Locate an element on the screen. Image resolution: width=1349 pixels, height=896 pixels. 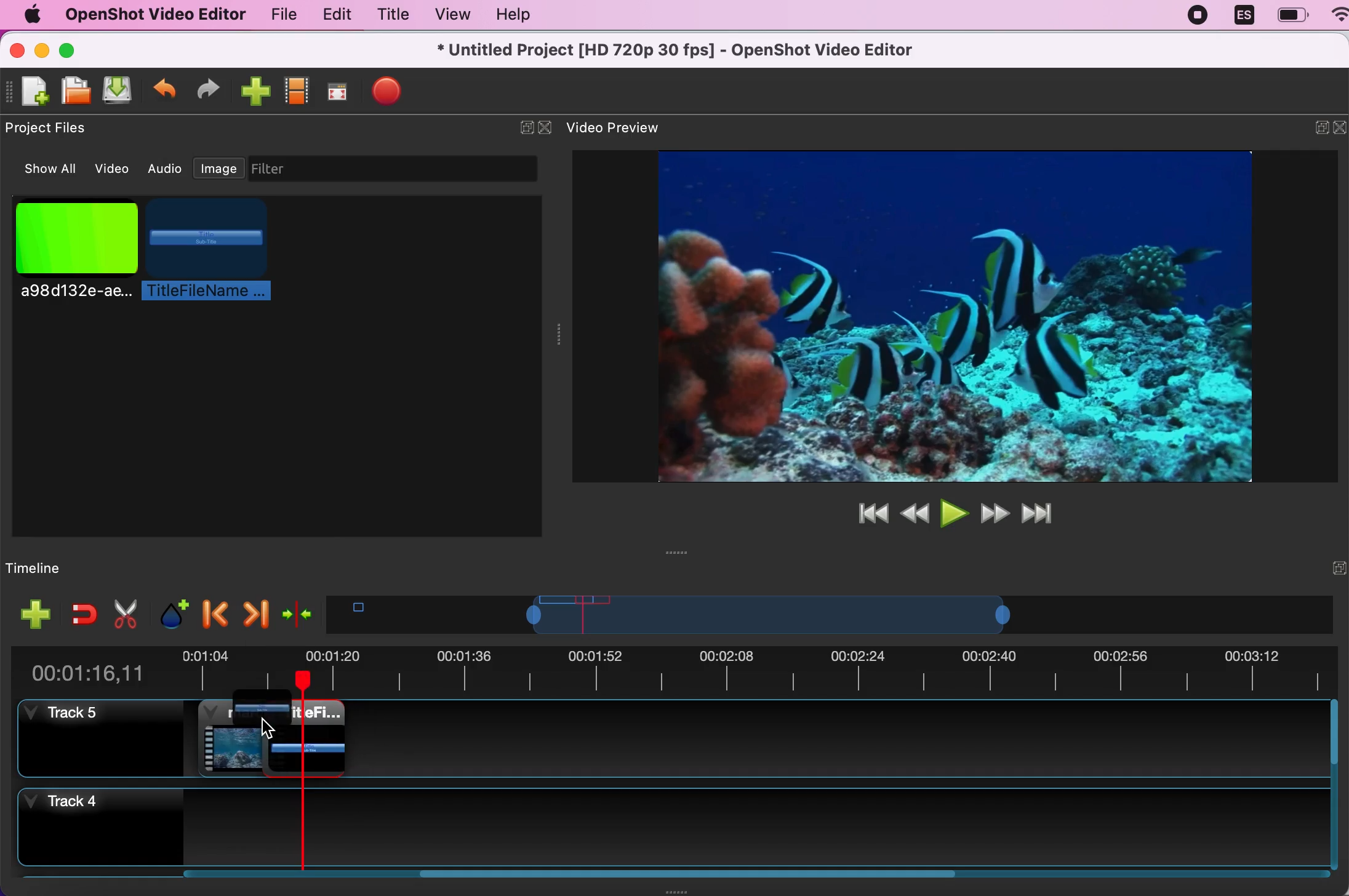
jump to end is located at coordinates (1046, 514).